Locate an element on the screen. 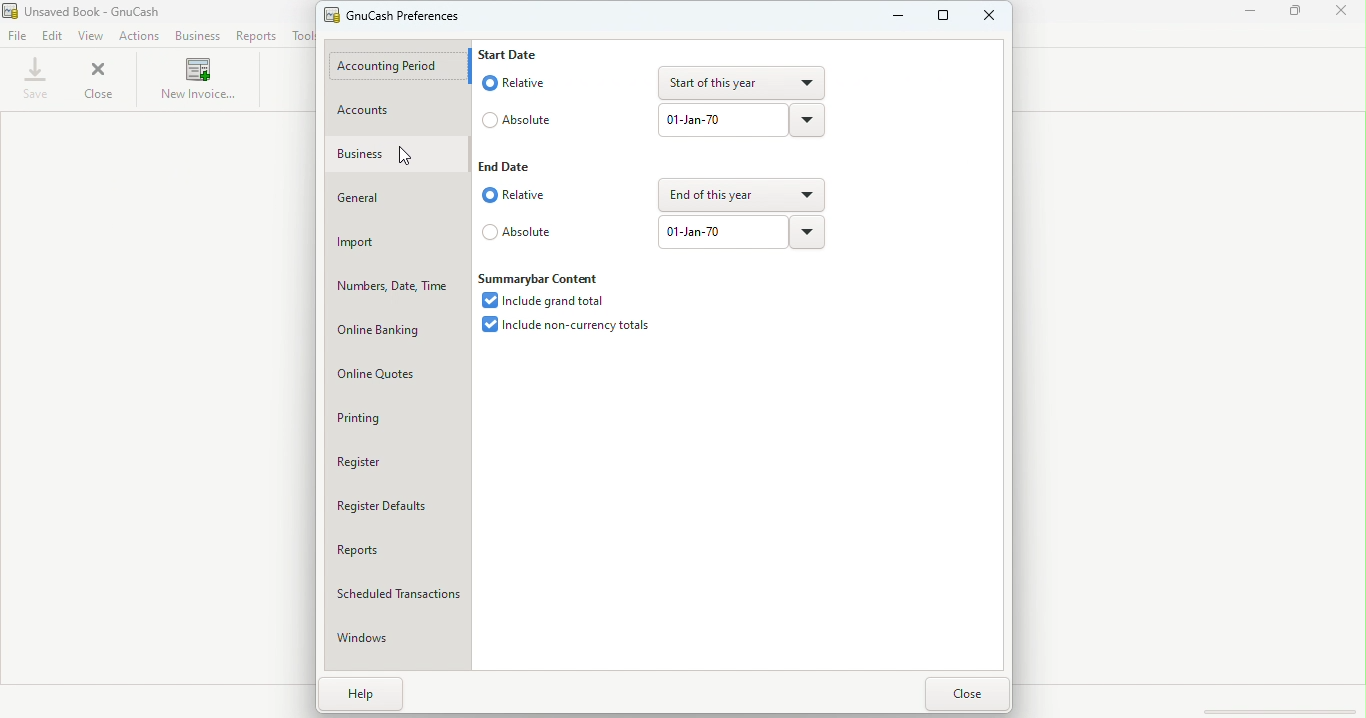  Accounts is located at coordinates (398, 112).